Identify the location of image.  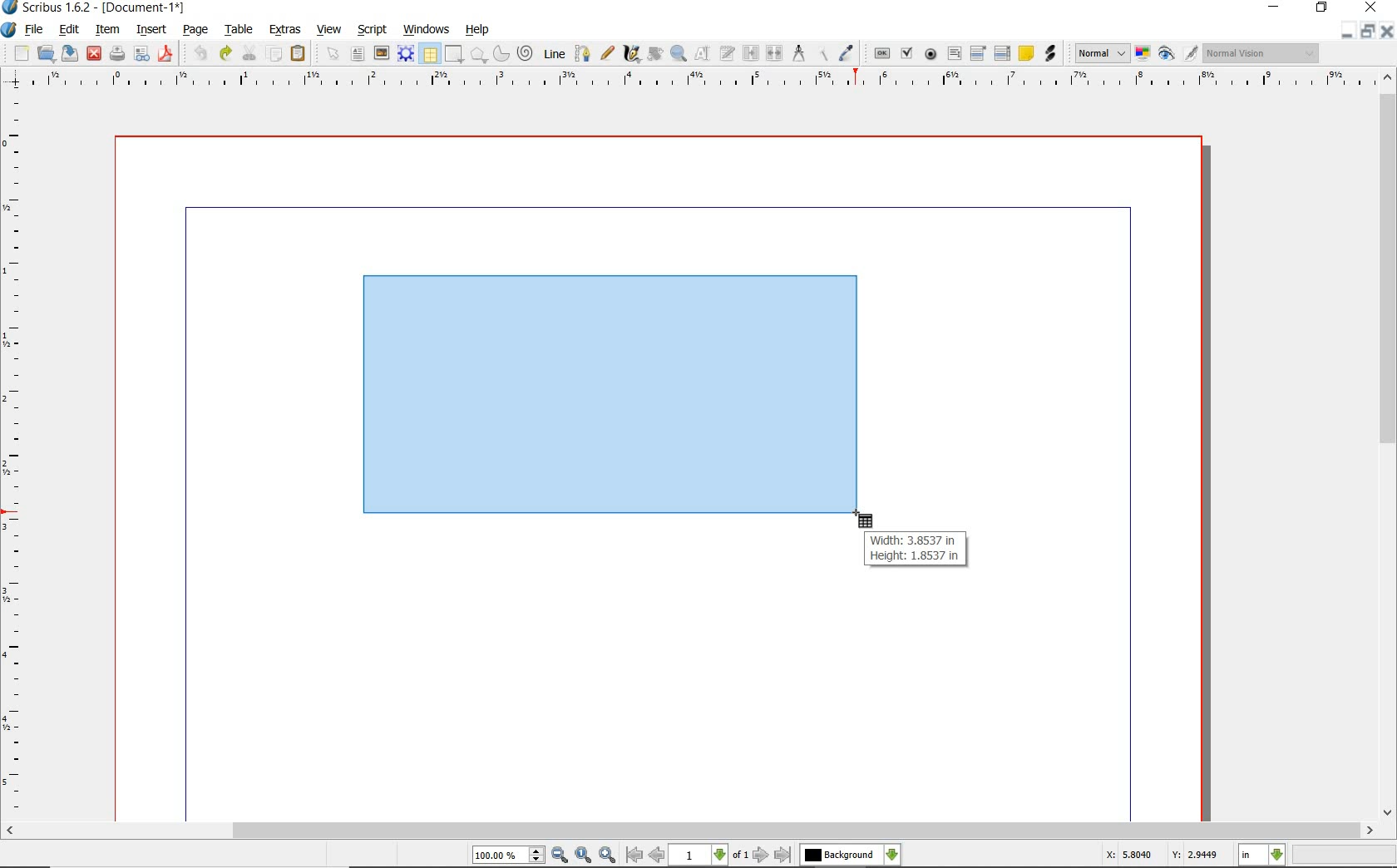
(382, 54).